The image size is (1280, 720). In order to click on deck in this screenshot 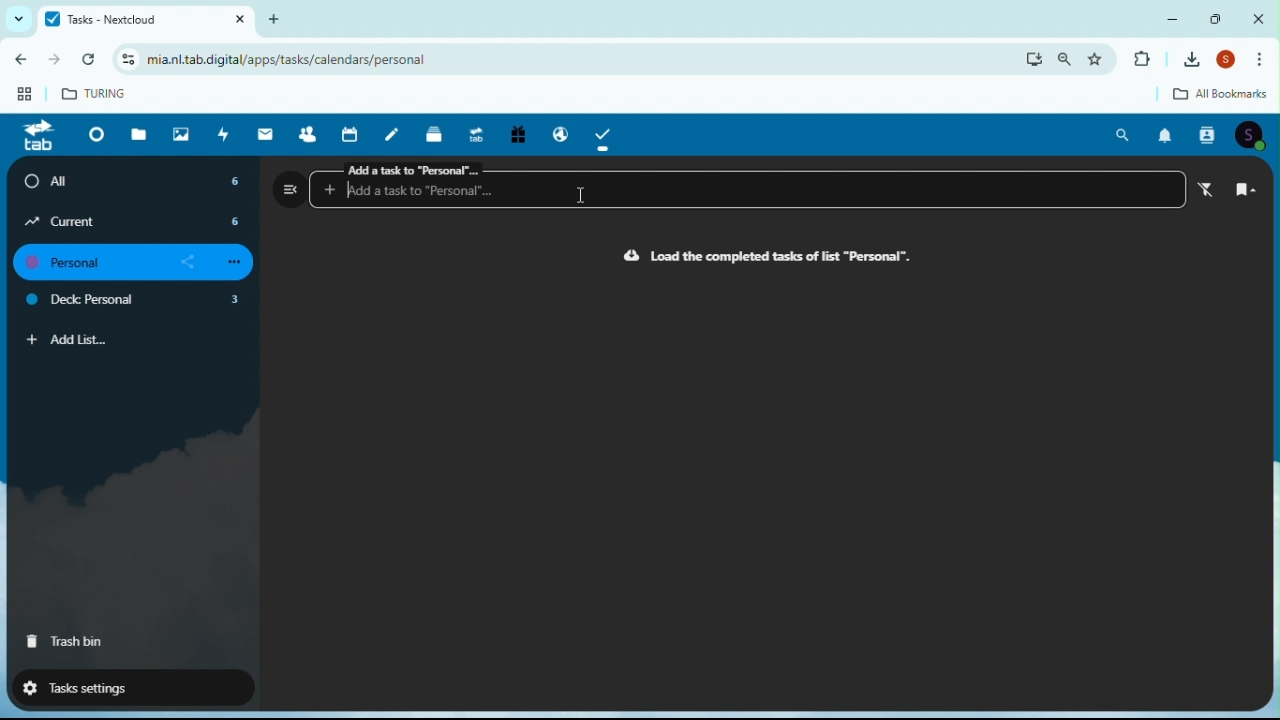, I will do `click(436, 133)`.